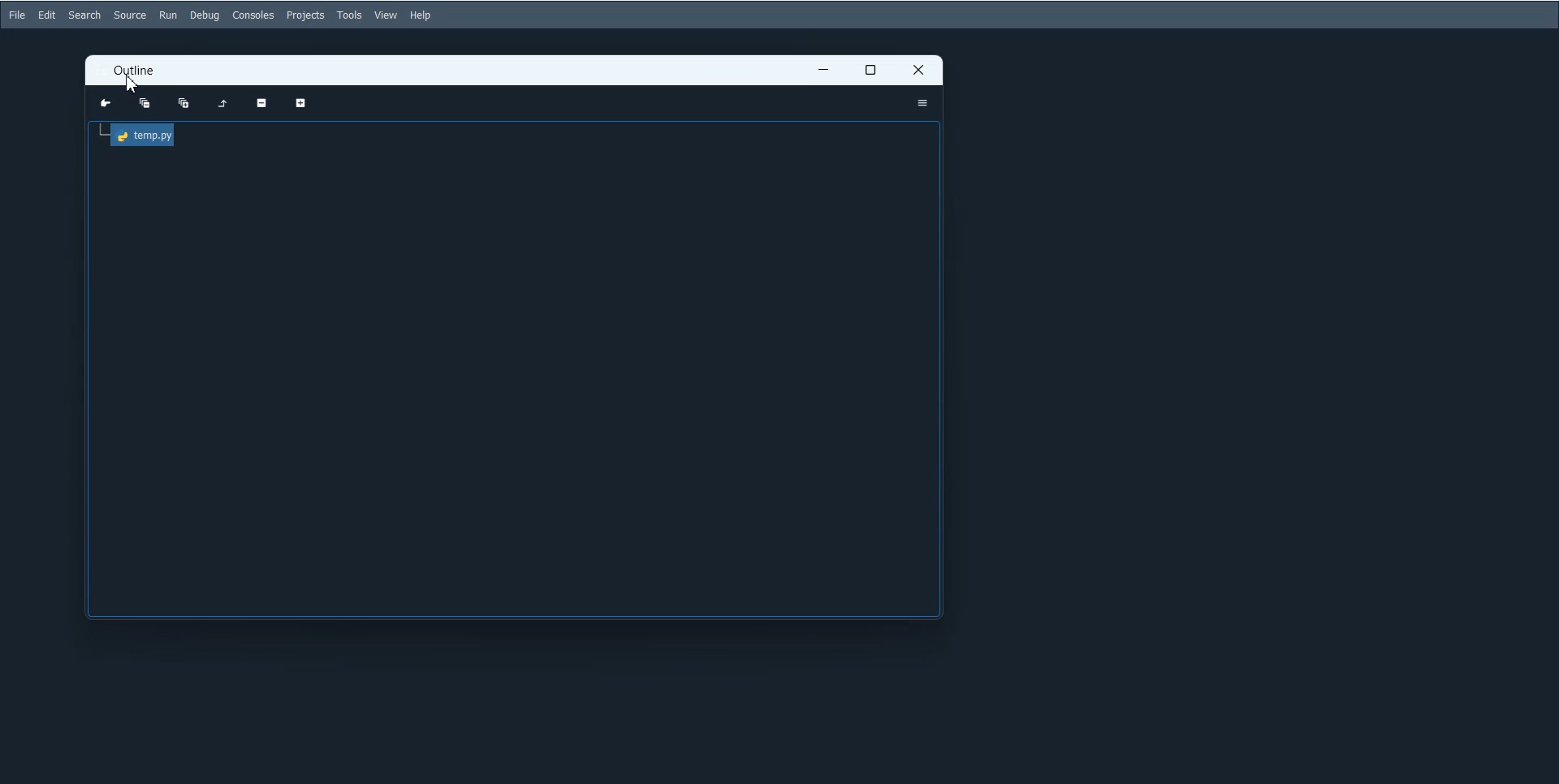 The height and width of the screenshot is (784, 1559). Describe the element at coordinates (138, 136) in the screenshot. I see `Temp.py` at that location.